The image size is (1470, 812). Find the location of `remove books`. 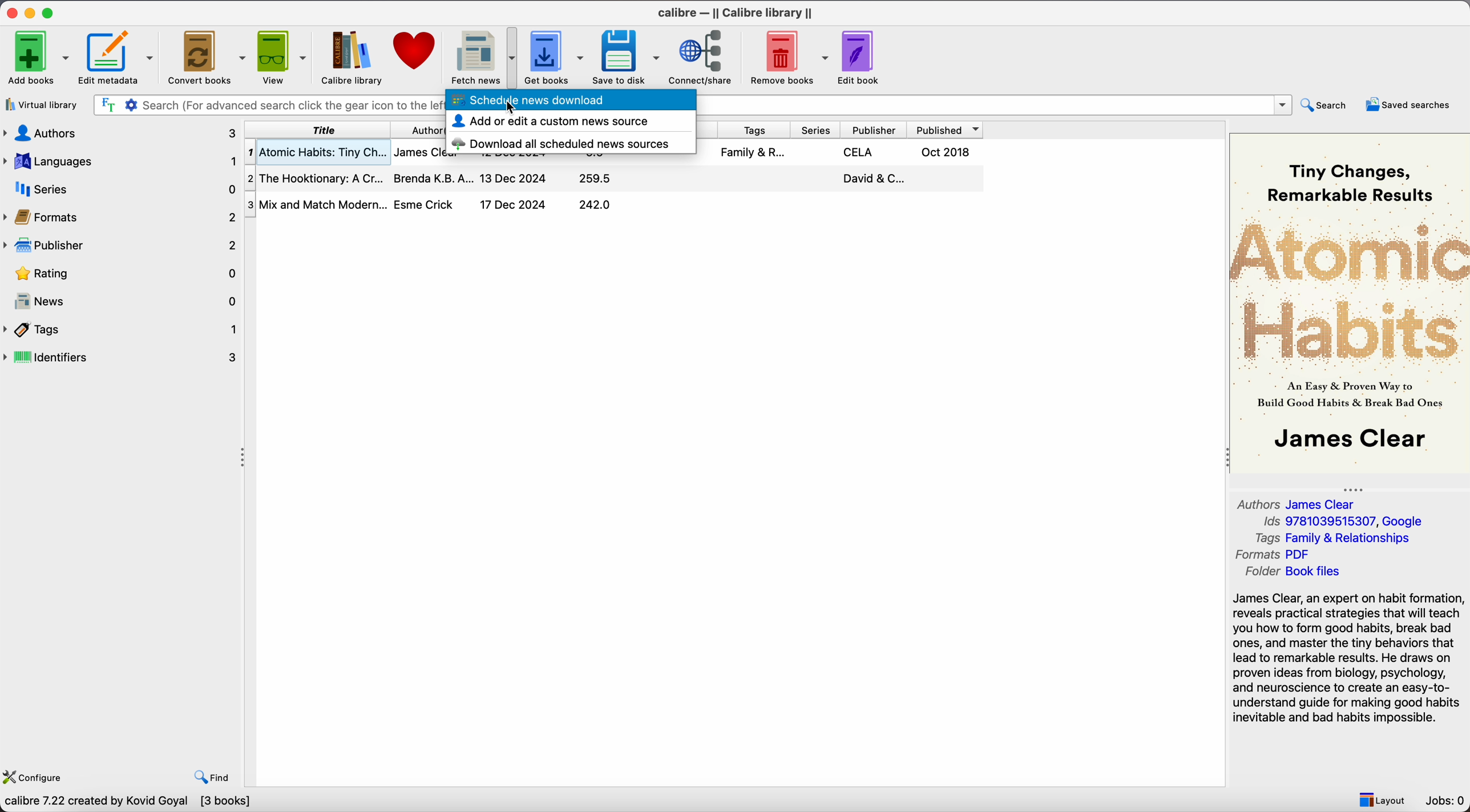

remove books is located at coordinates (788, 56).